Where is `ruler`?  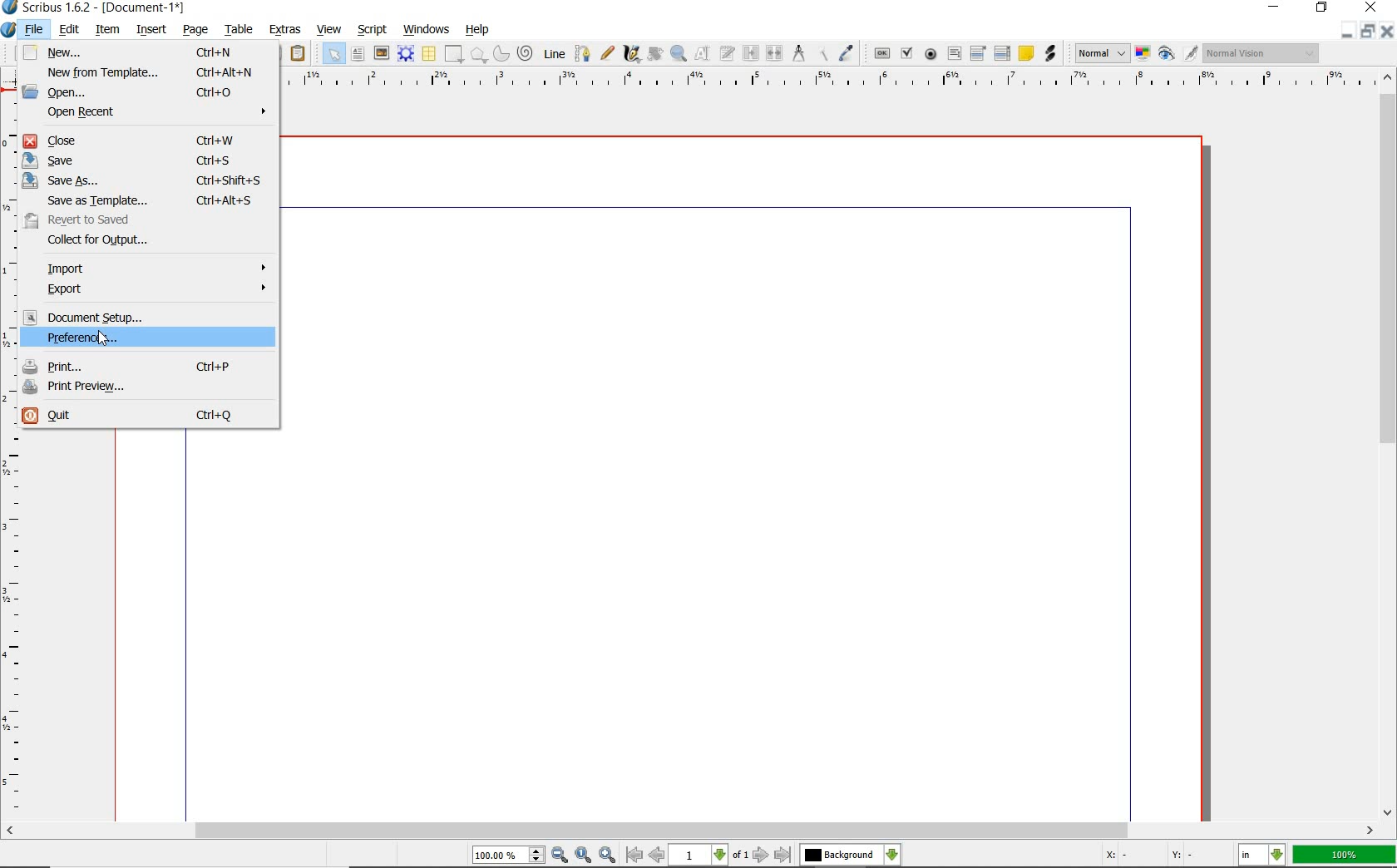
ruler is located at coordinates (826, 82).